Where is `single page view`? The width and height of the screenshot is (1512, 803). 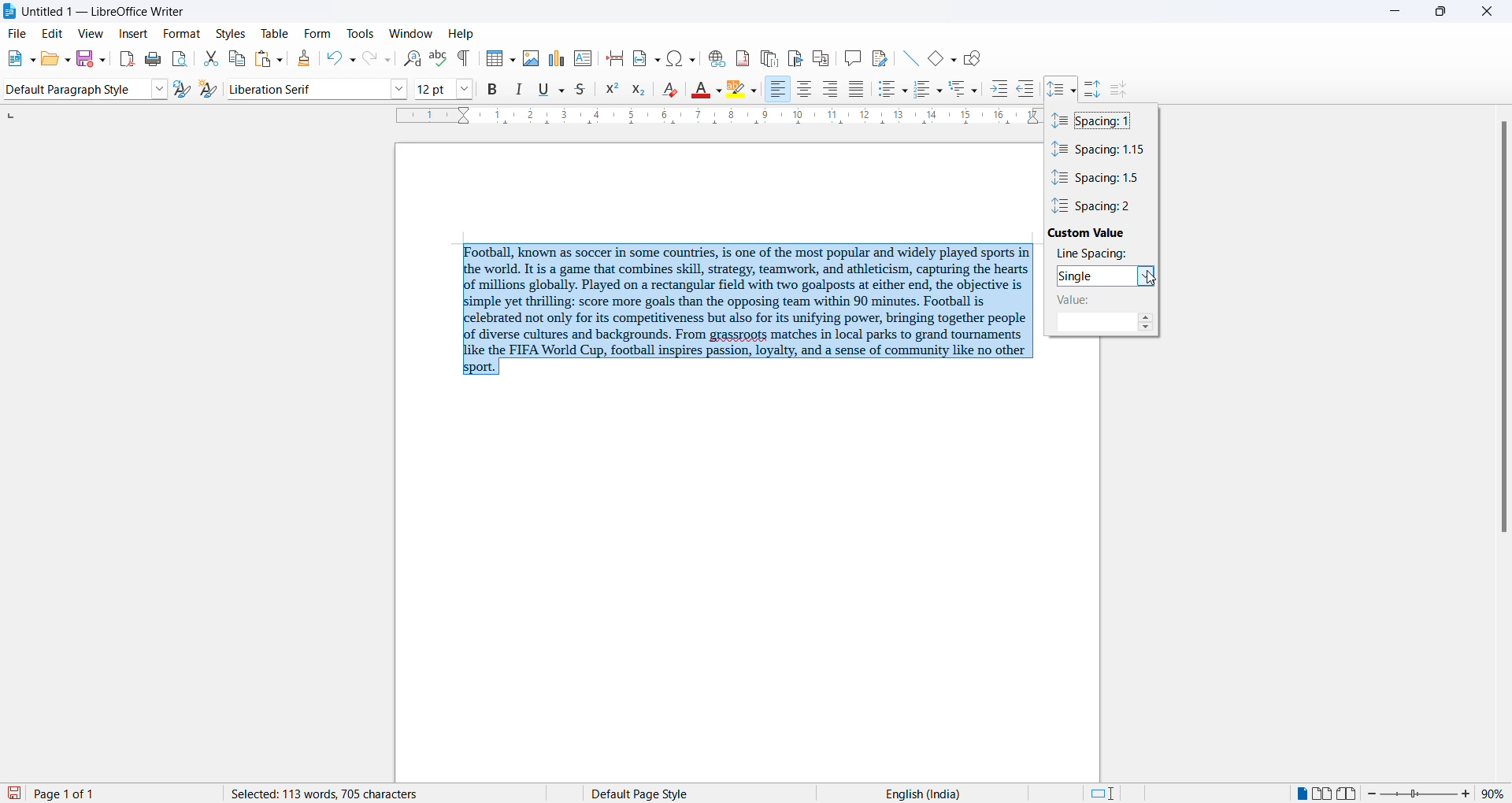
single page view is located at coordinates (1299, 794).